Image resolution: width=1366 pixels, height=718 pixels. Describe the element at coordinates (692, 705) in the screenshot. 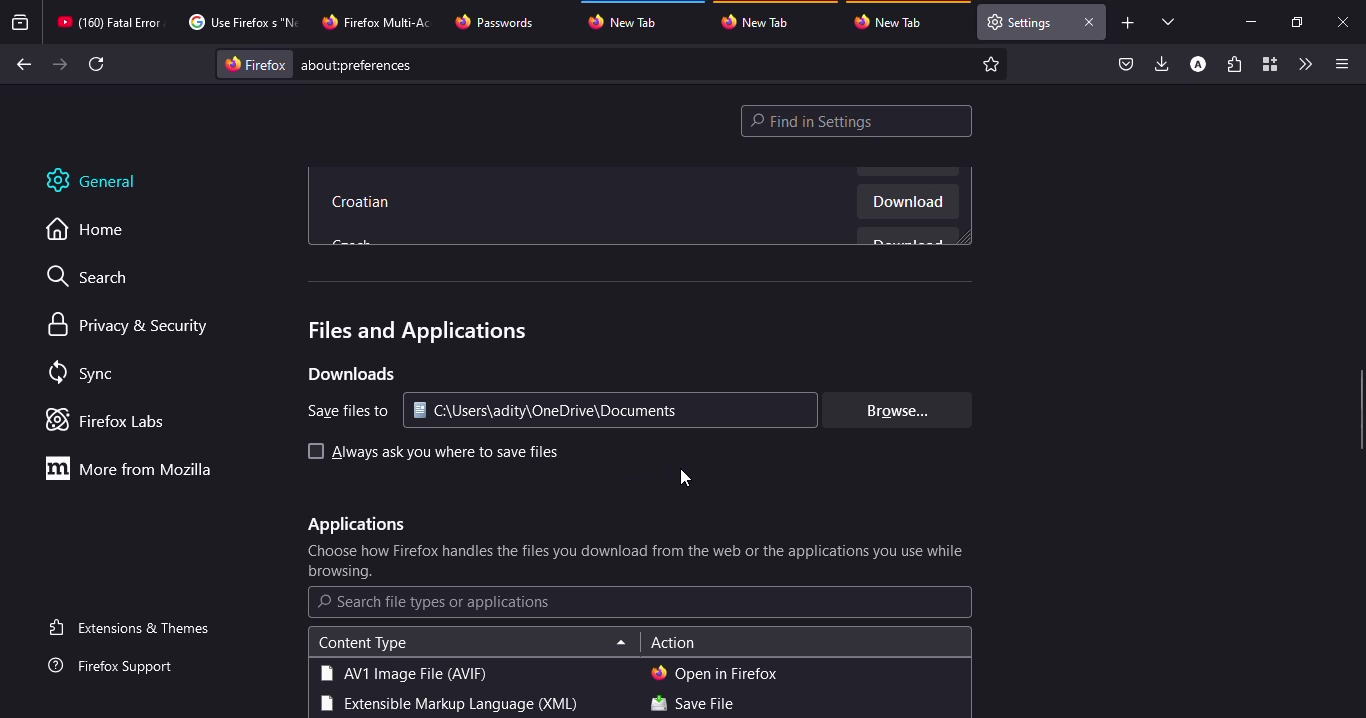

I see `save` at that location.